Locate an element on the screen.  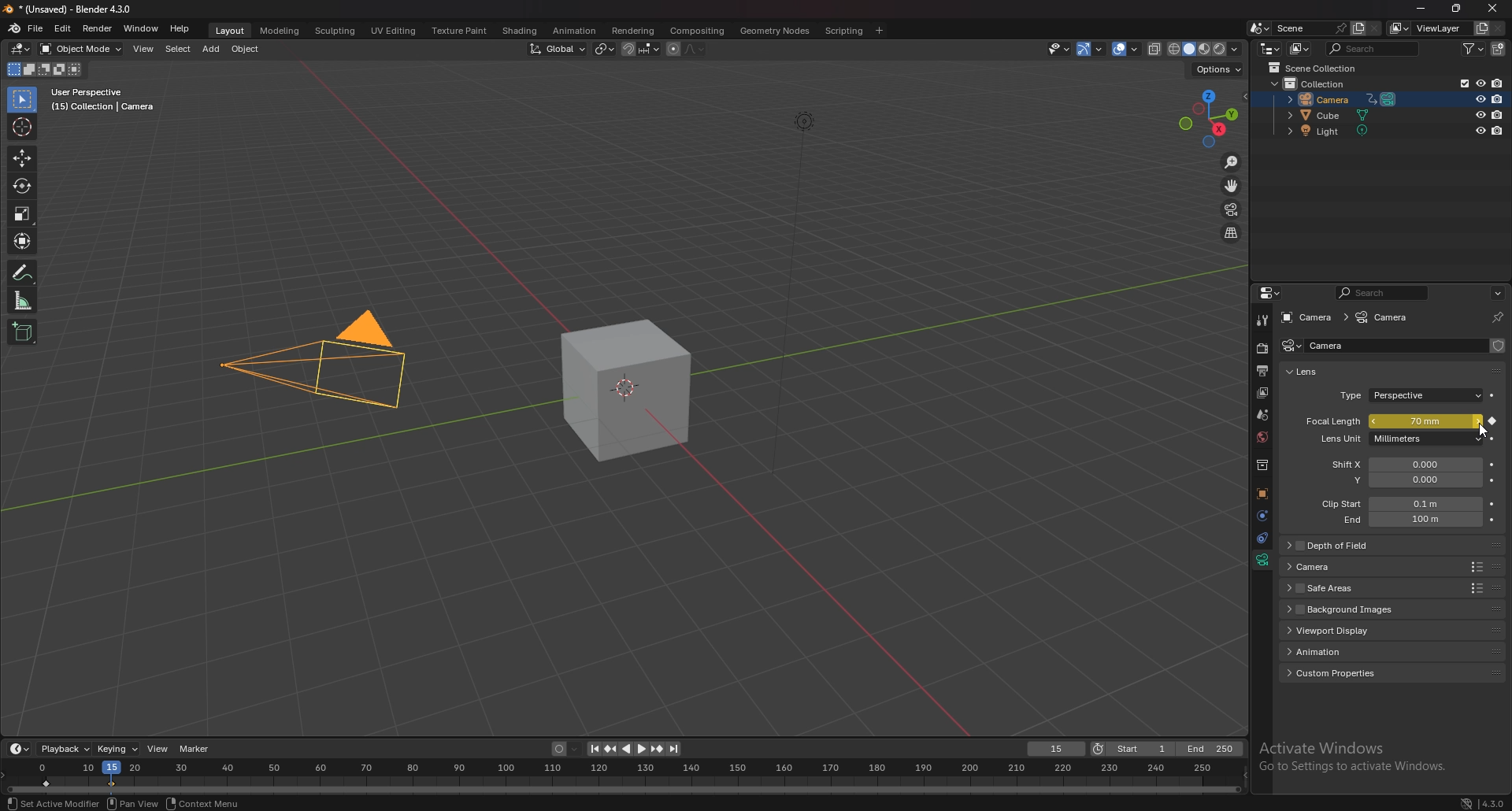
rotate is located at coordinates (21, 187).